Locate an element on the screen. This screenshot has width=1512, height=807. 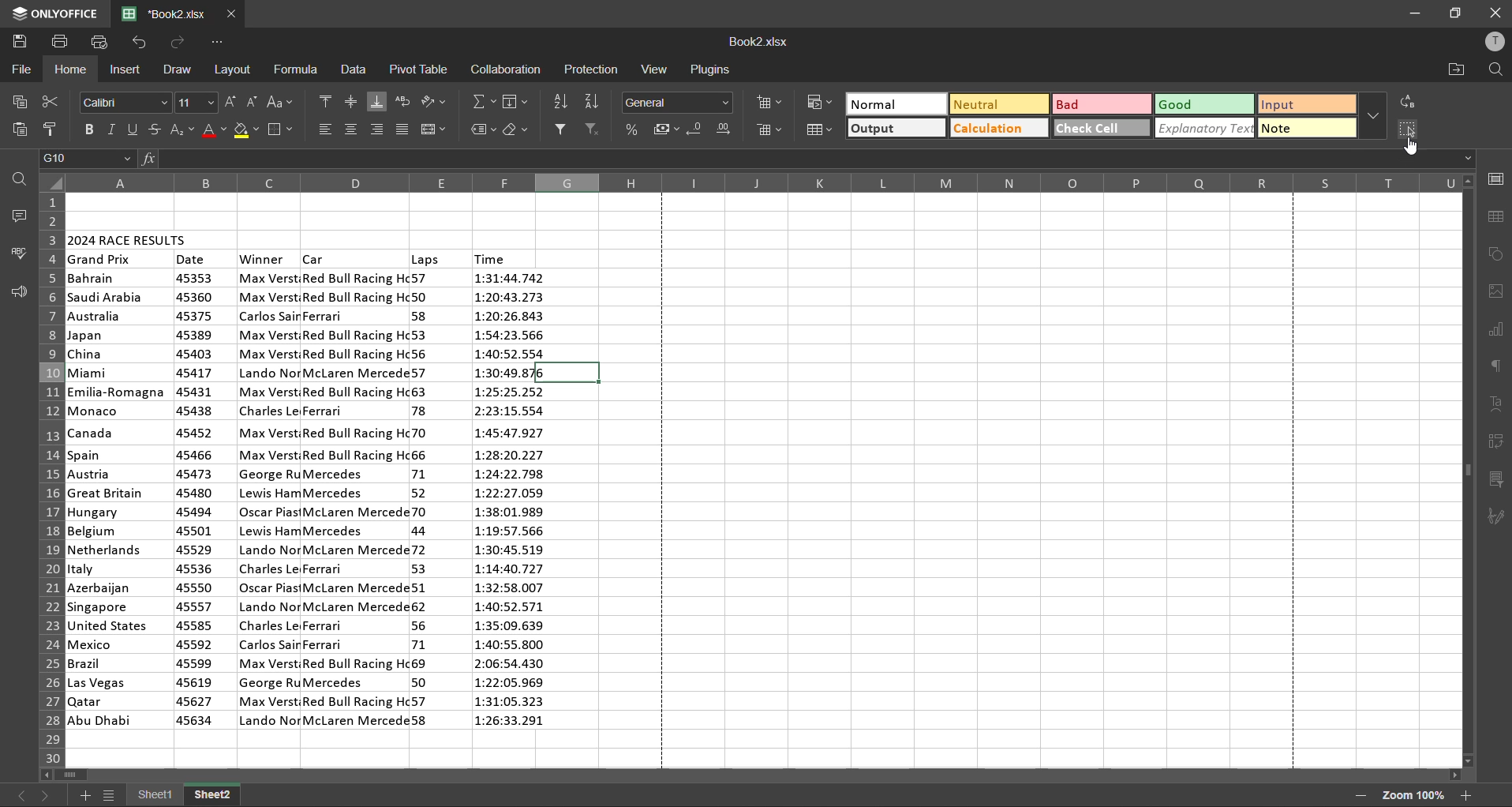
spellcheck is located at coordinates (14, 253).